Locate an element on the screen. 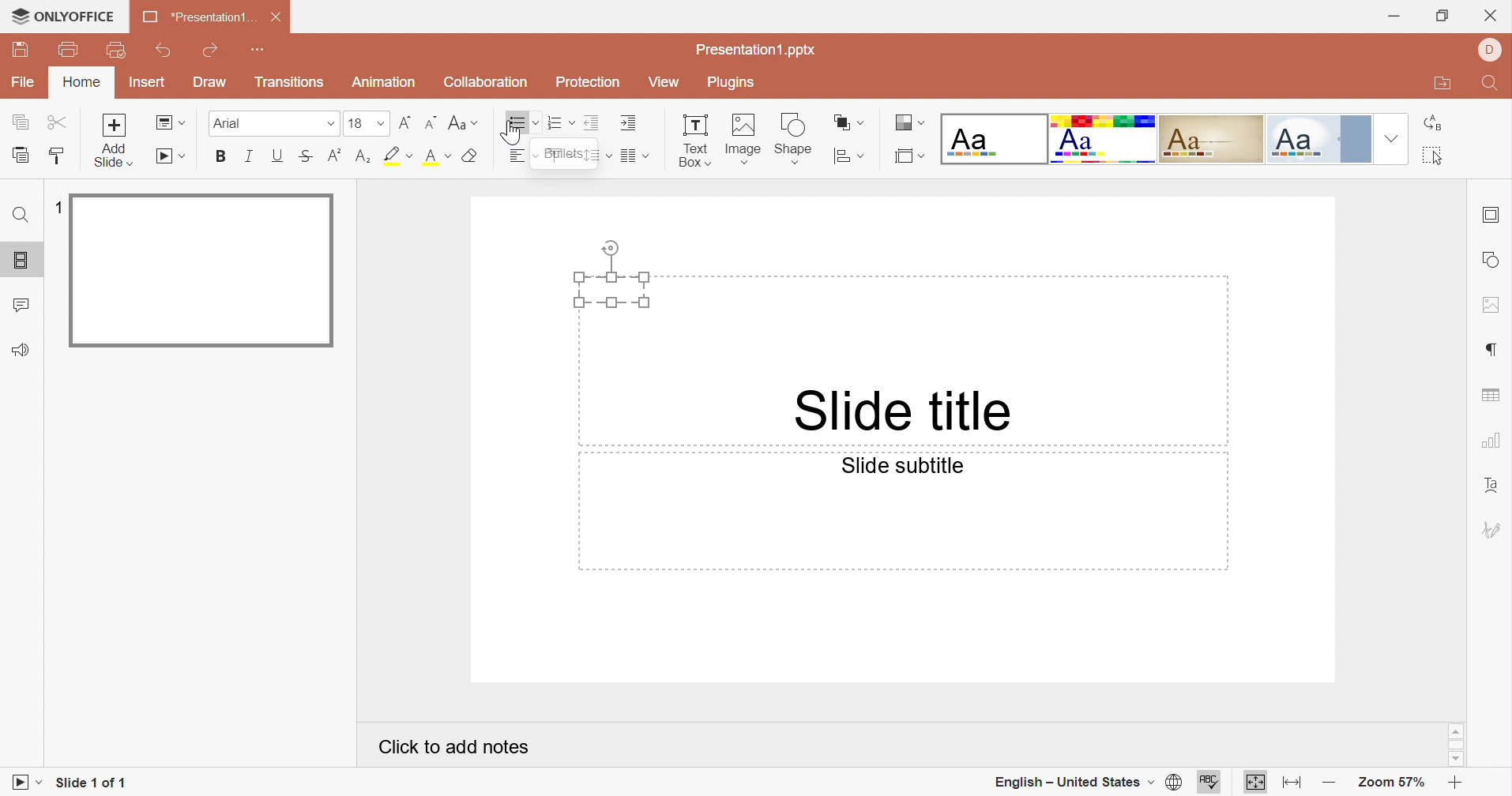 The width and height of the screenshot is (1512, 796). Decrease indent is located at coordinates (590, 123).